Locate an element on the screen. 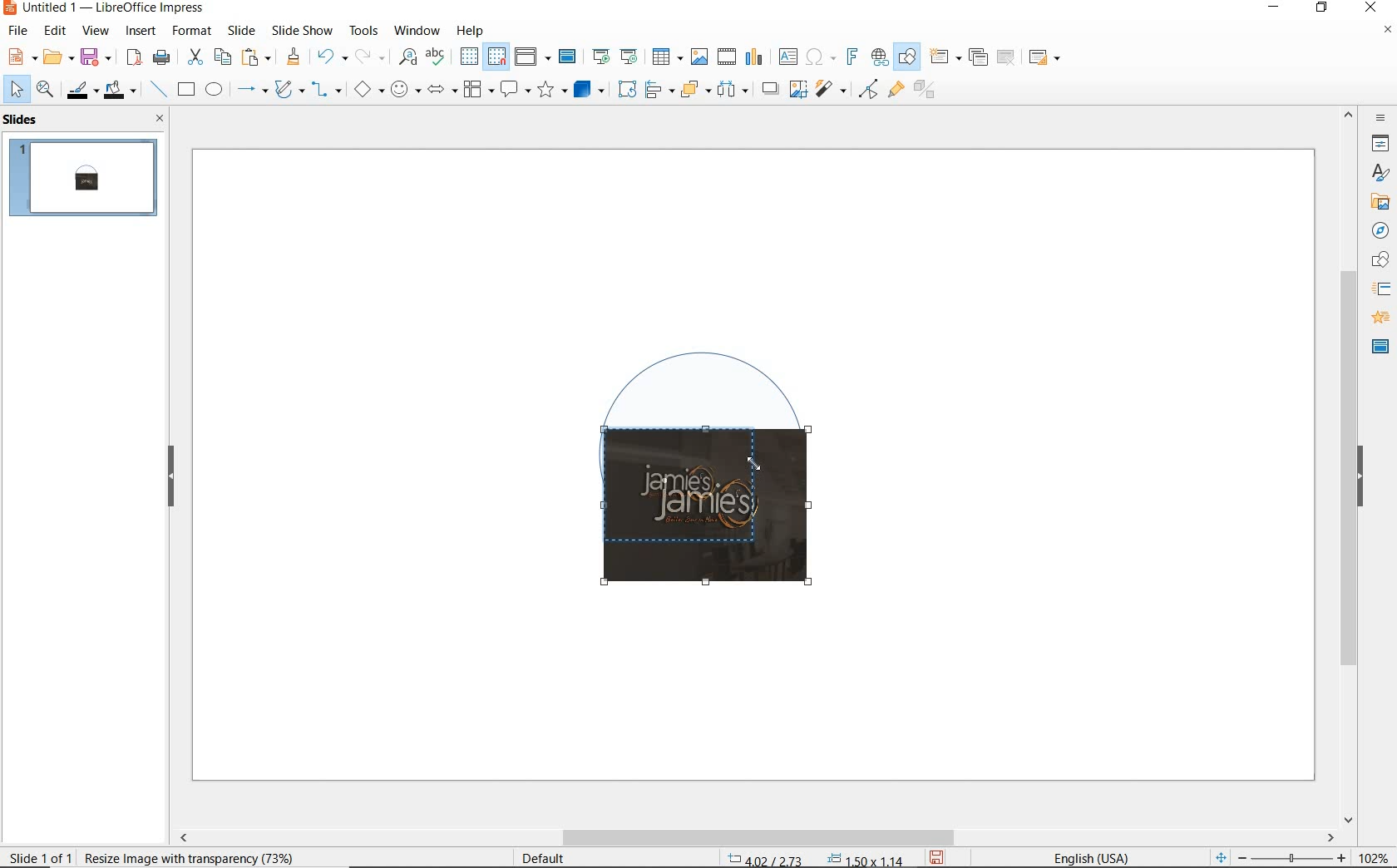 The height and width of the screenshot is (868, 1397). line color is located at coordinates (81, 90).